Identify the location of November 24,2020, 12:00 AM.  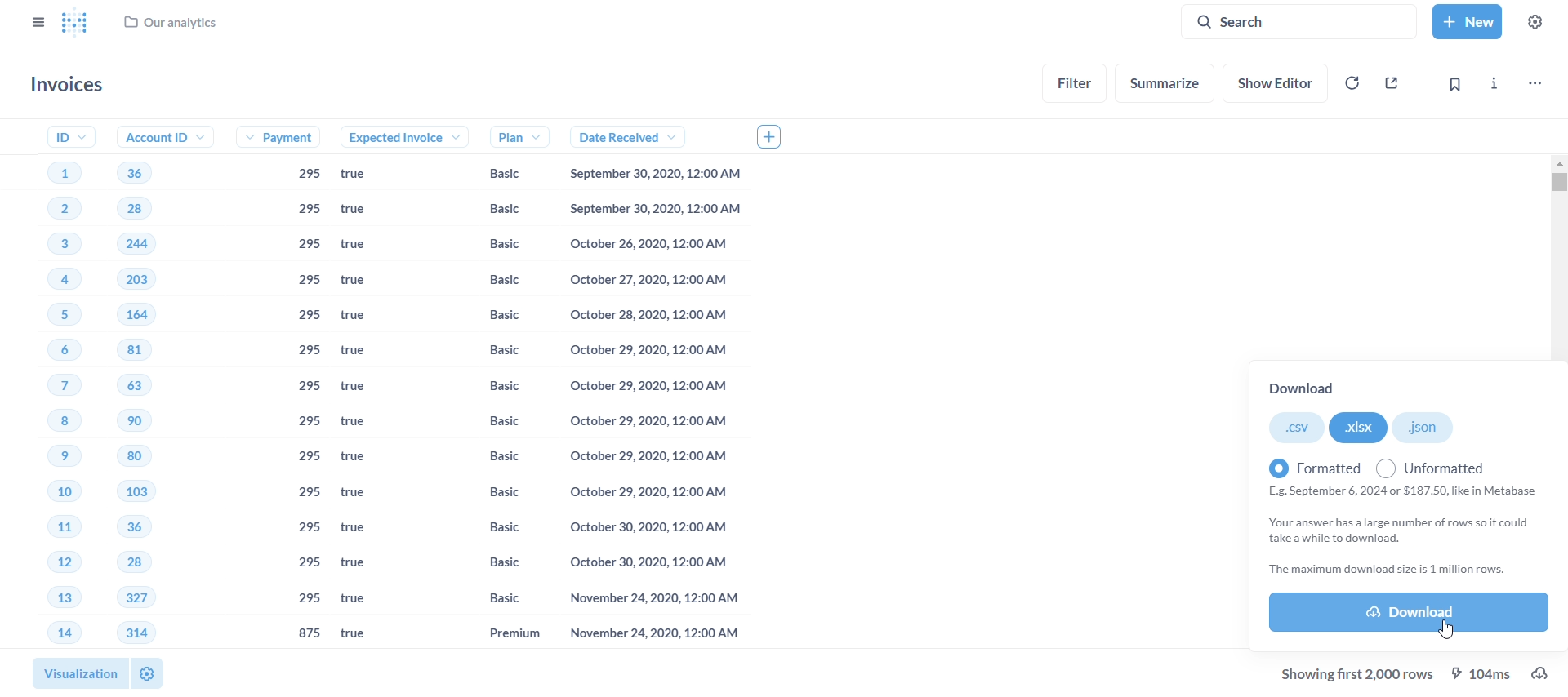
(648, 634).